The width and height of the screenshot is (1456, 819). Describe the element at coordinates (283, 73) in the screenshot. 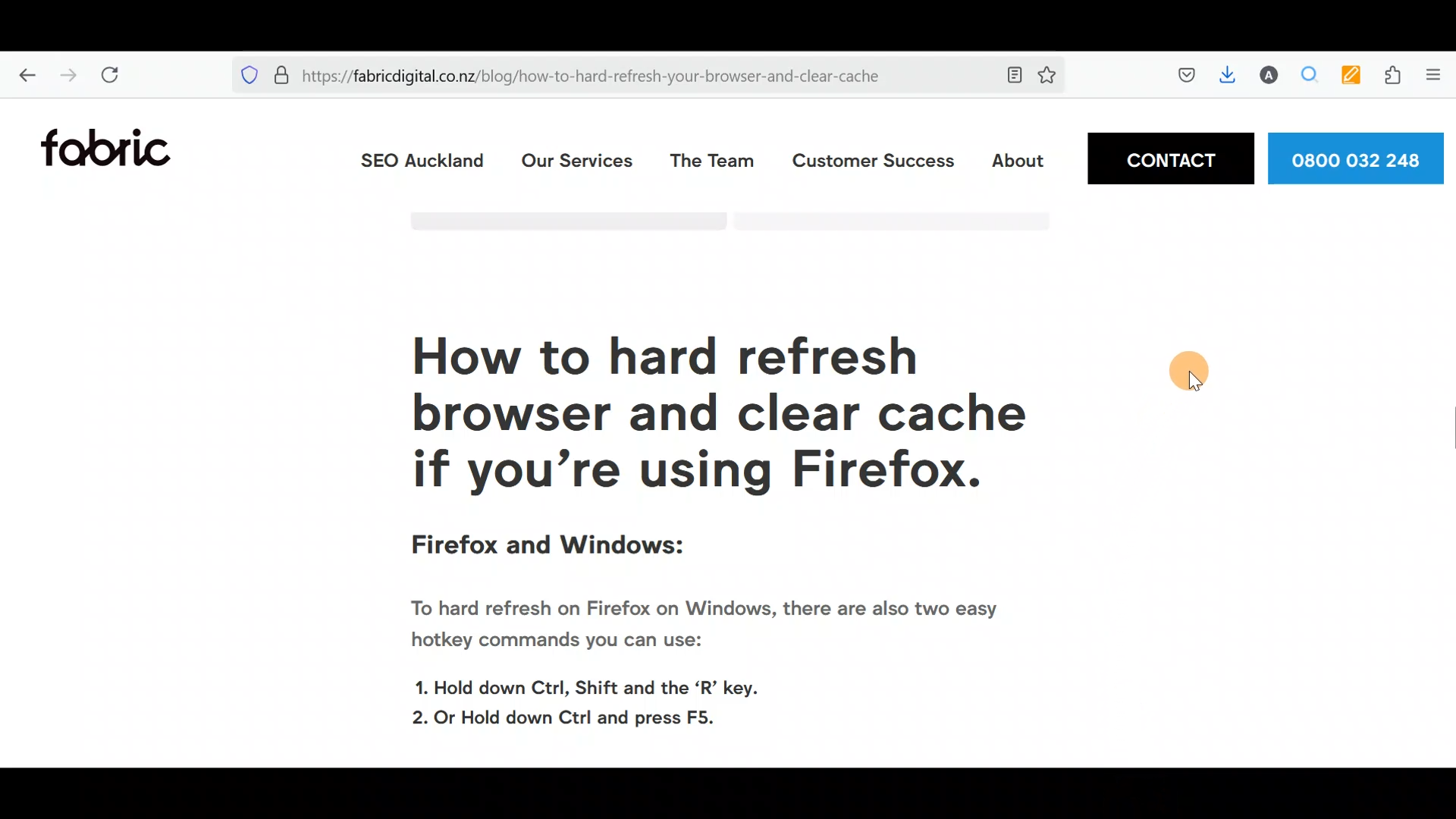

I see `Verified` at that location.